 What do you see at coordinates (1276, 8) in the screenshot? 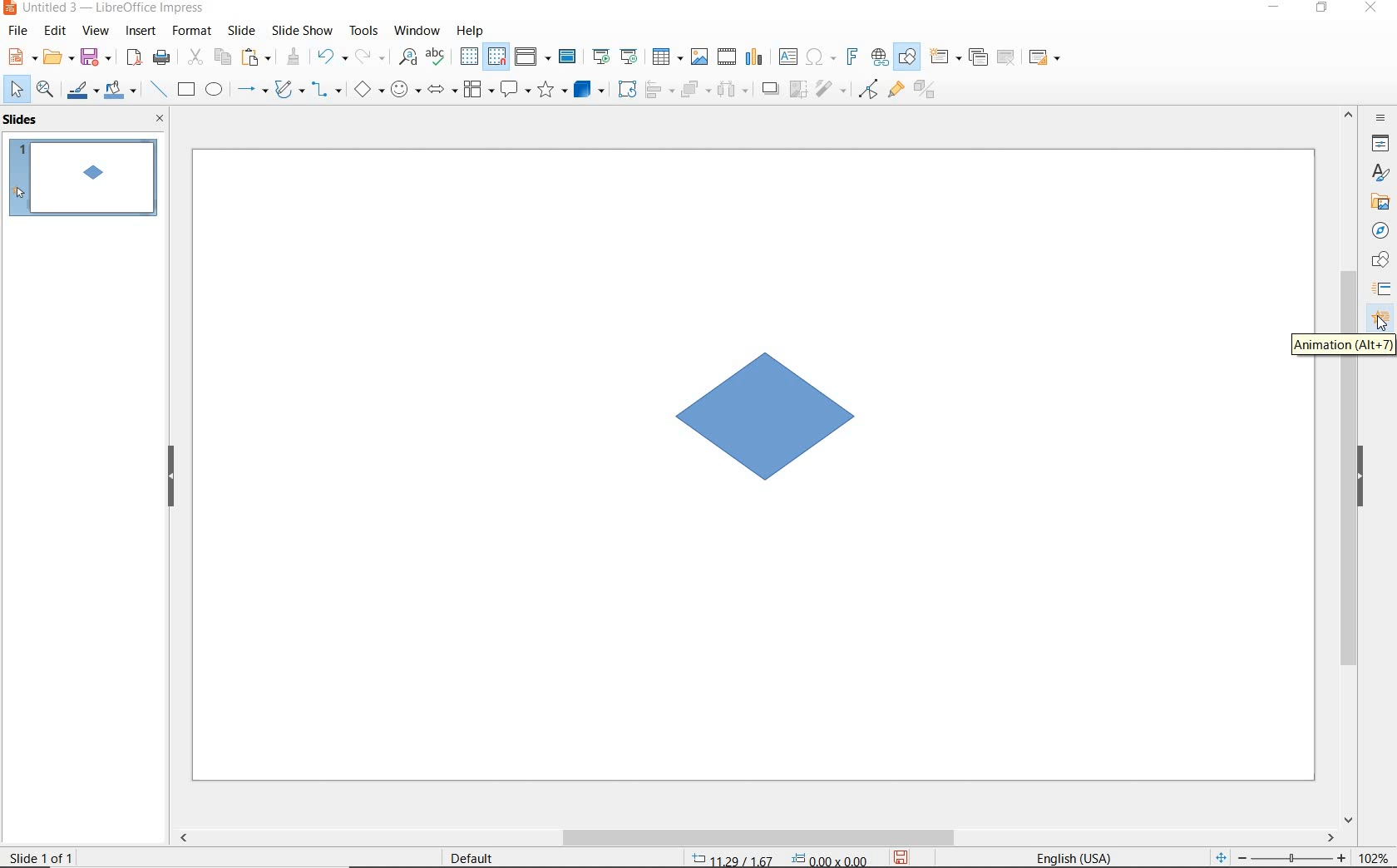
I see `minimize` at bounding box center [1276, 8].